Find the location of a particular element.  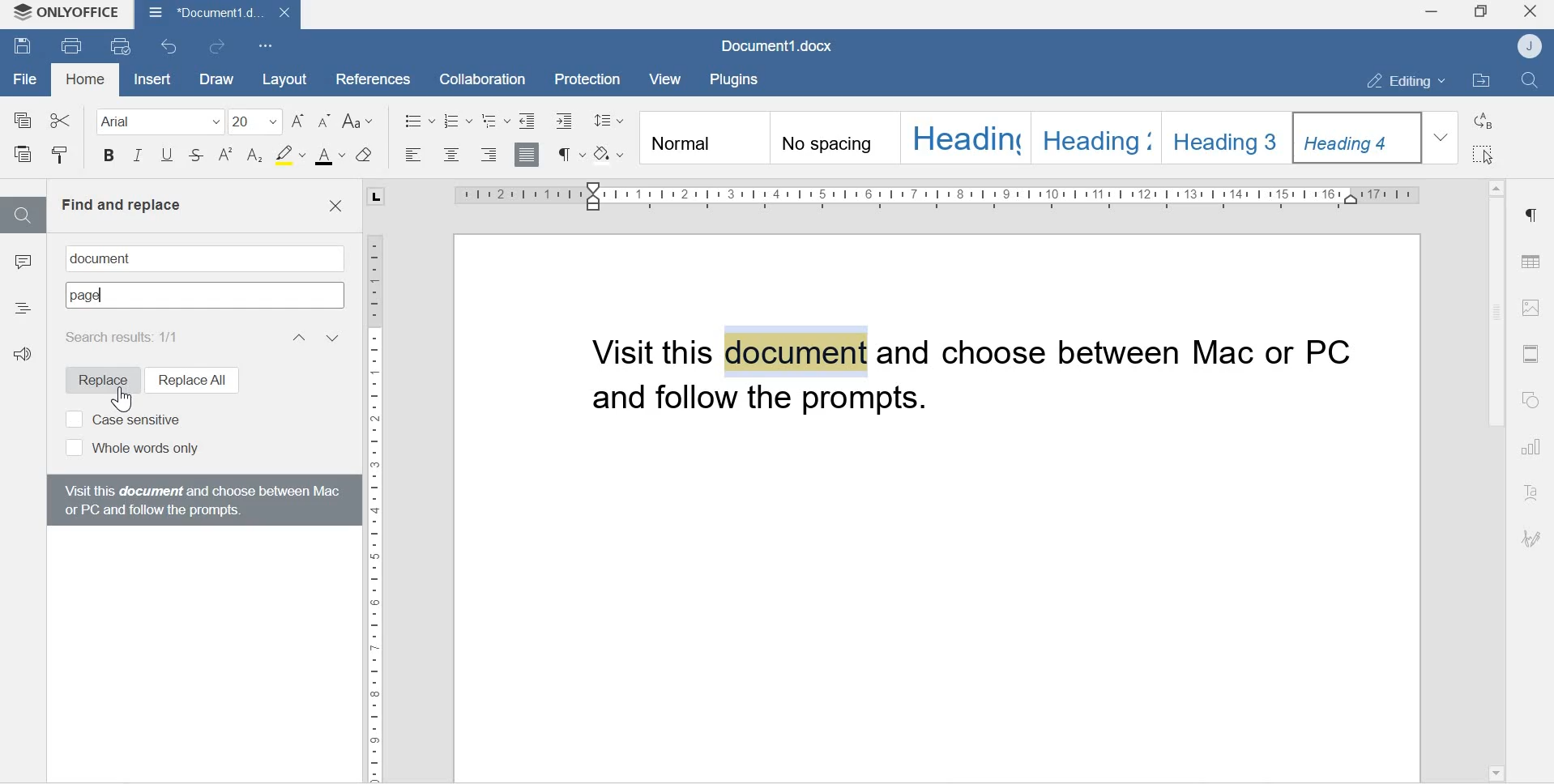

Strikethrough is located at coordinates (197, 157).